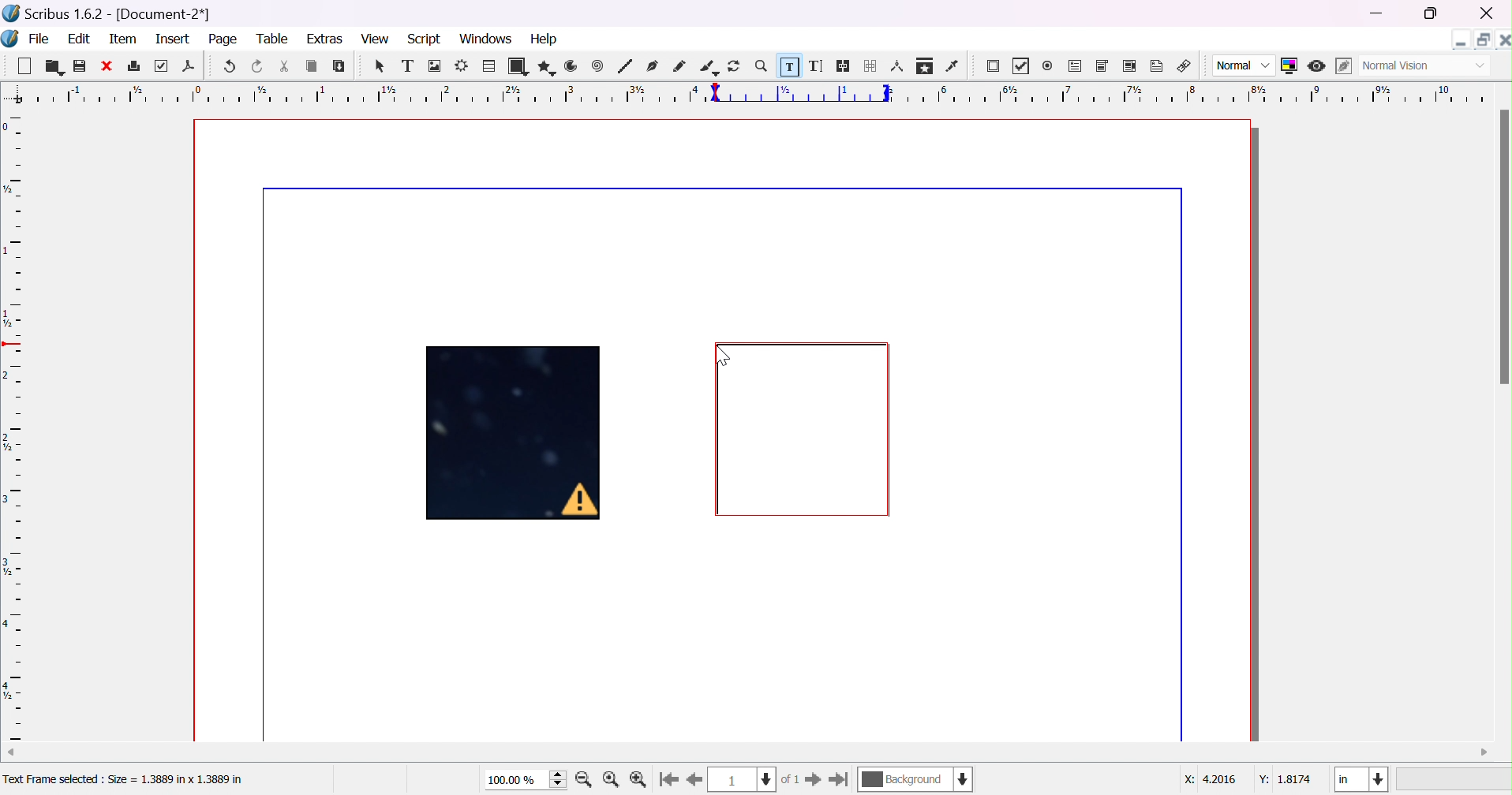 Image resolution: width=1512 pixels, height=795 pixels. What do you see at coordinates (232, 67) in the screenshot?
I see `undo` at bounding box center [232, 67].